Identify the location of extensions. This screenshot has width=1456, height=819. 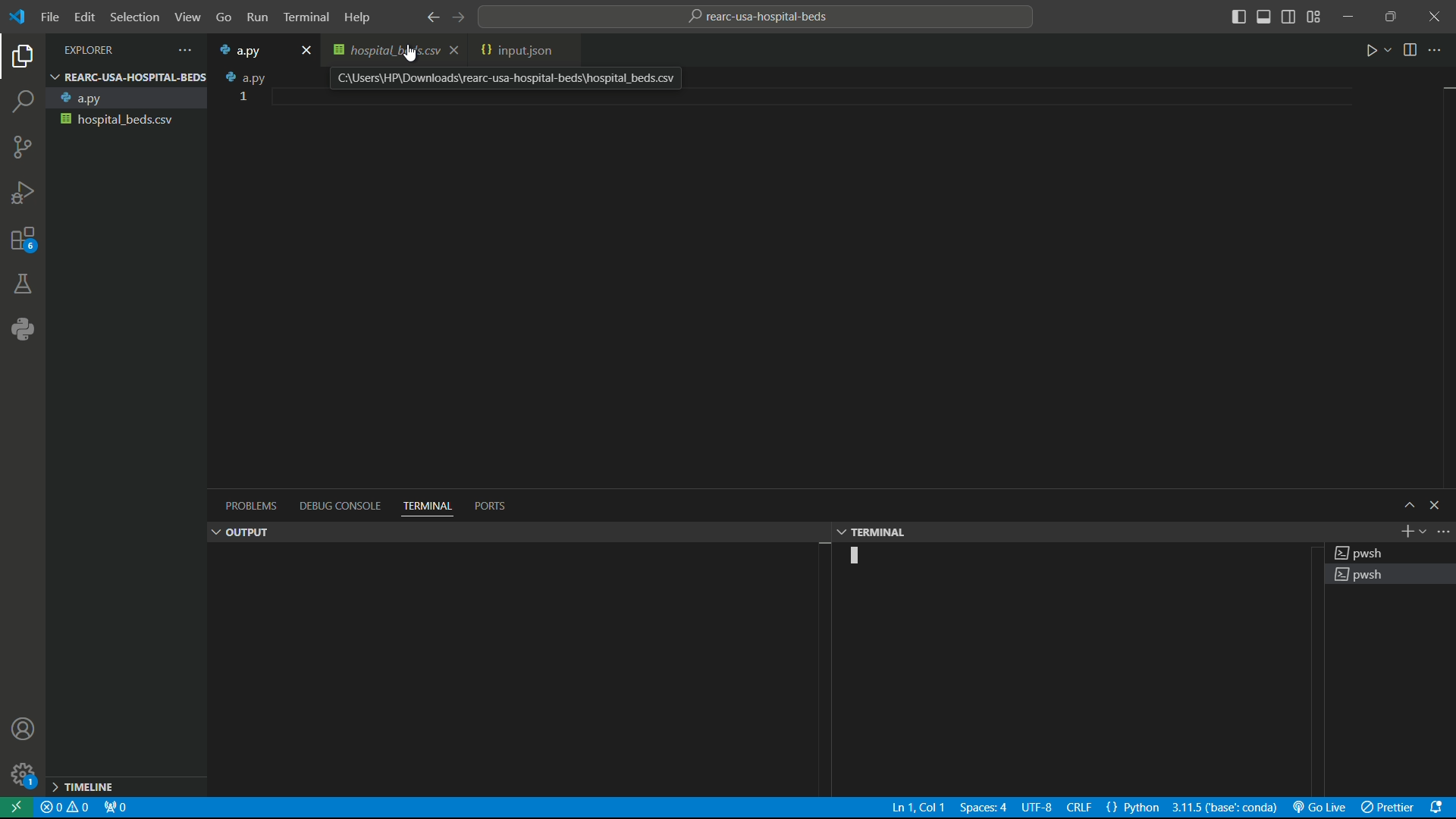
(21, 237).